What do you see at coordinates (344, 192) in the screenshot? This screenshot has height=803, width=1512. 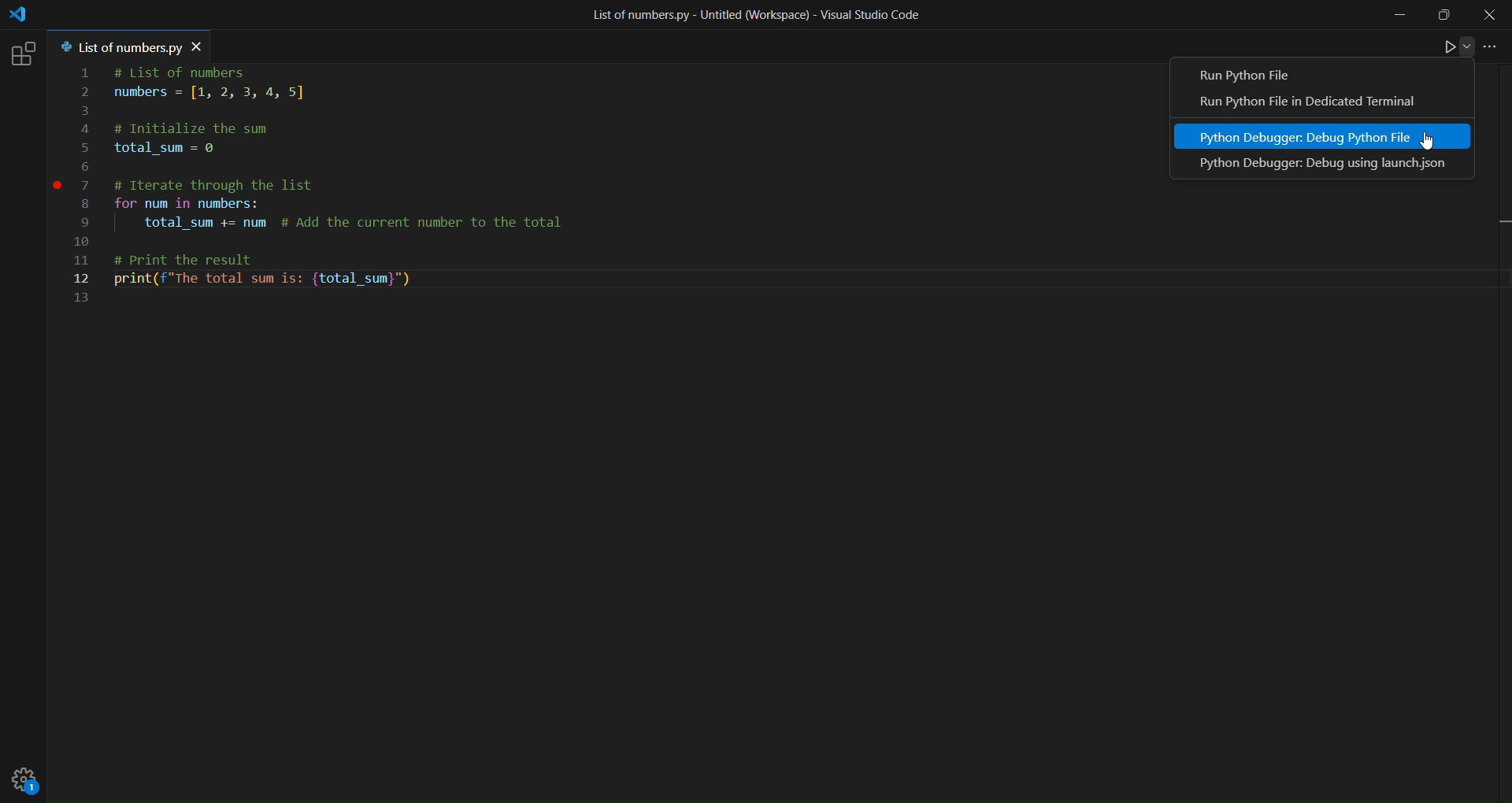 I see `code` at bounding box center [344, 192].